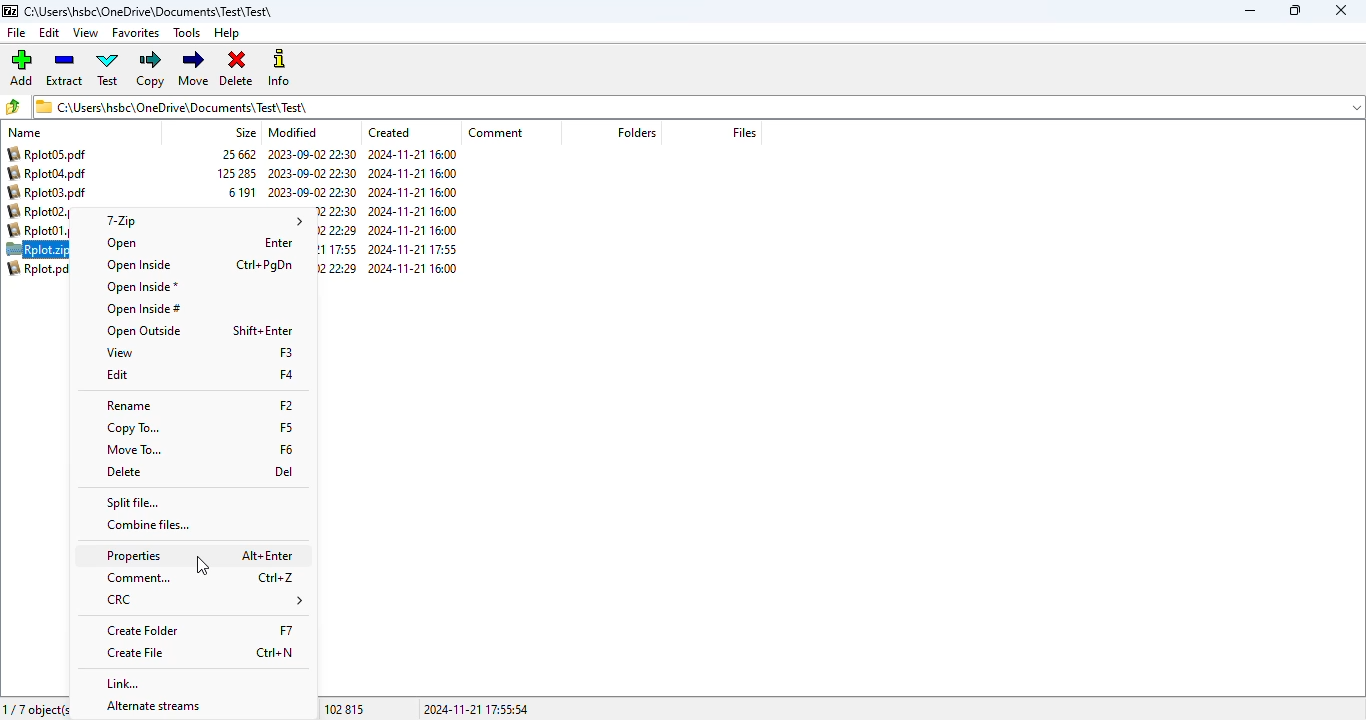 The height and width of the screenshot is (720, 1366). Describe the element at coordinates (17, 33) in the screenshot. I see `file` at that location.